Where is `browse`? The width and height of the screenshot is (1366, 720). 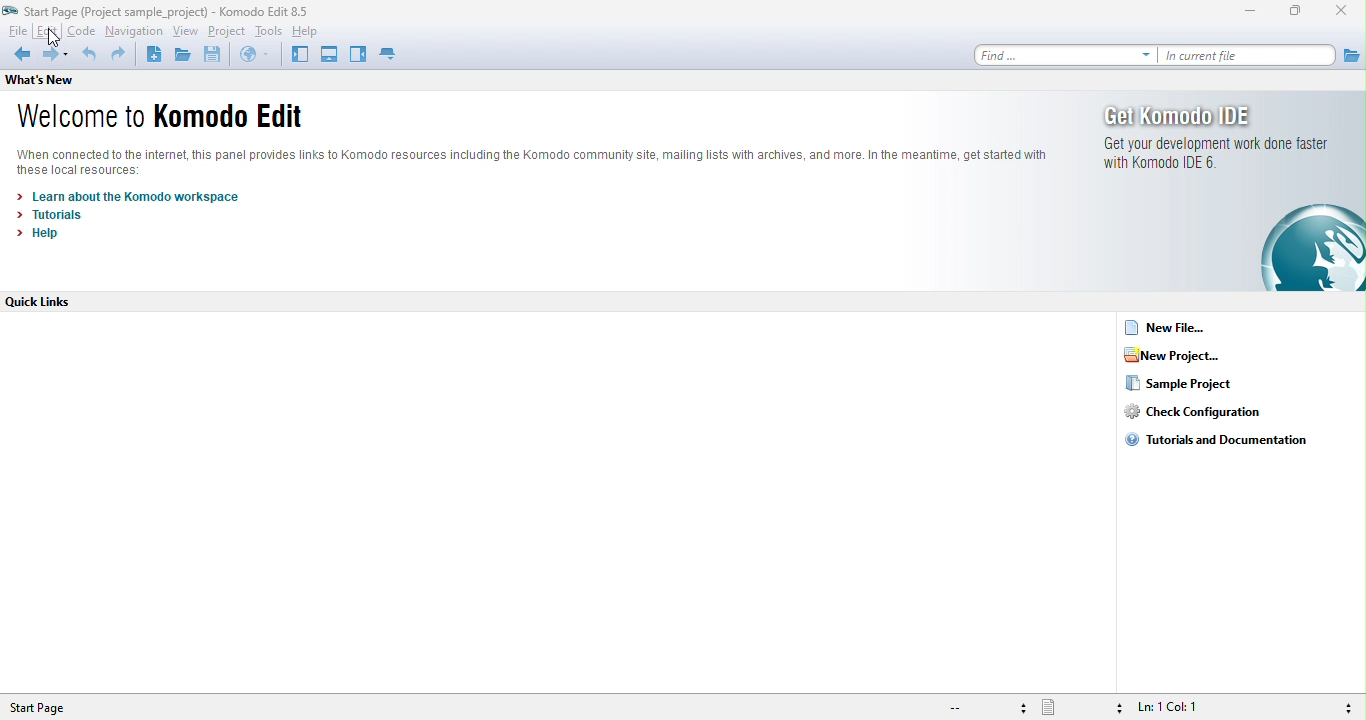
browse is located at coordinates (255, 57).